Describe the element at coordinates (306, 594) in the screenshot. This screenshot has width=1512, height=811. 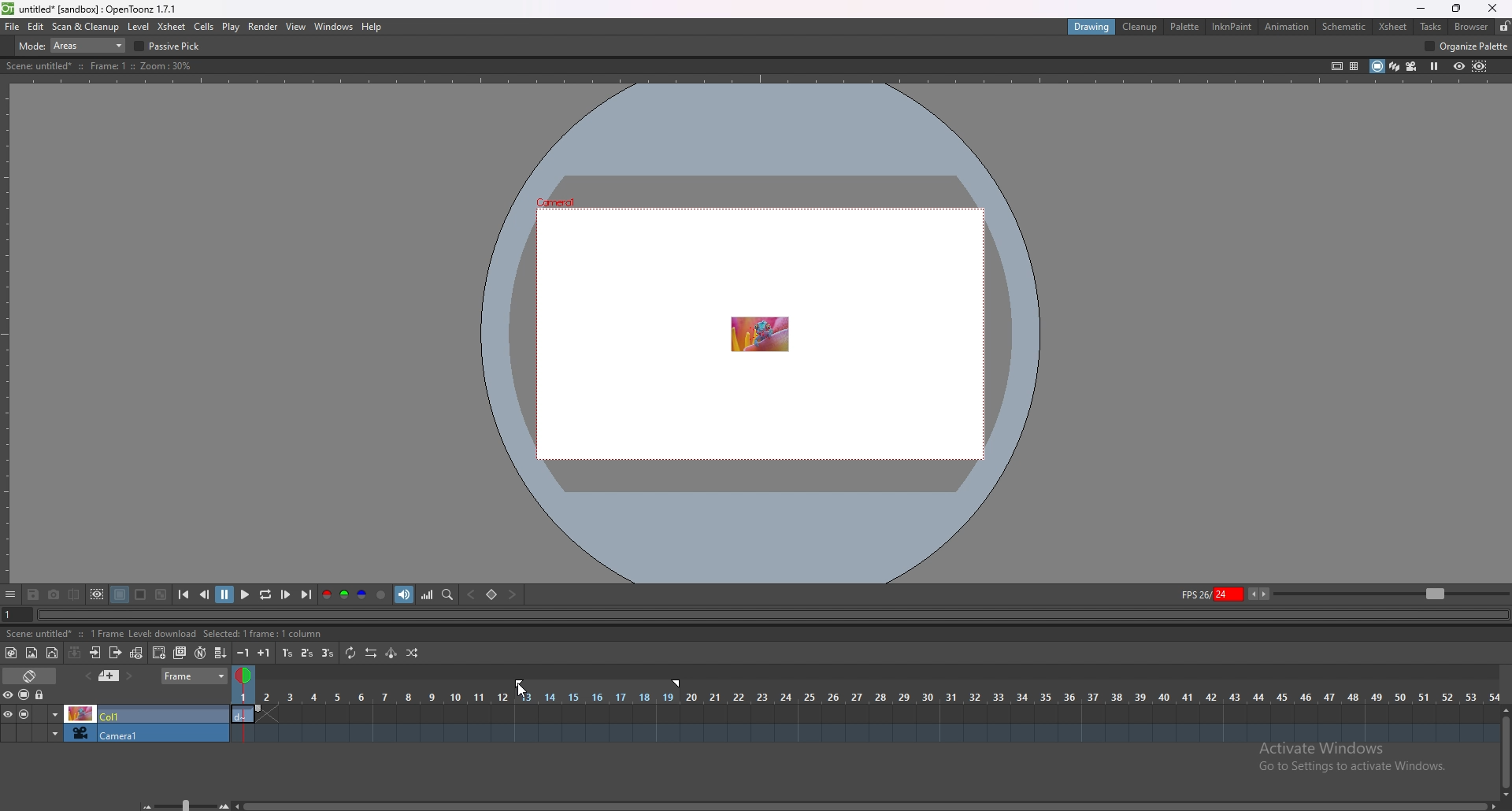
I see `last frame` at that location.